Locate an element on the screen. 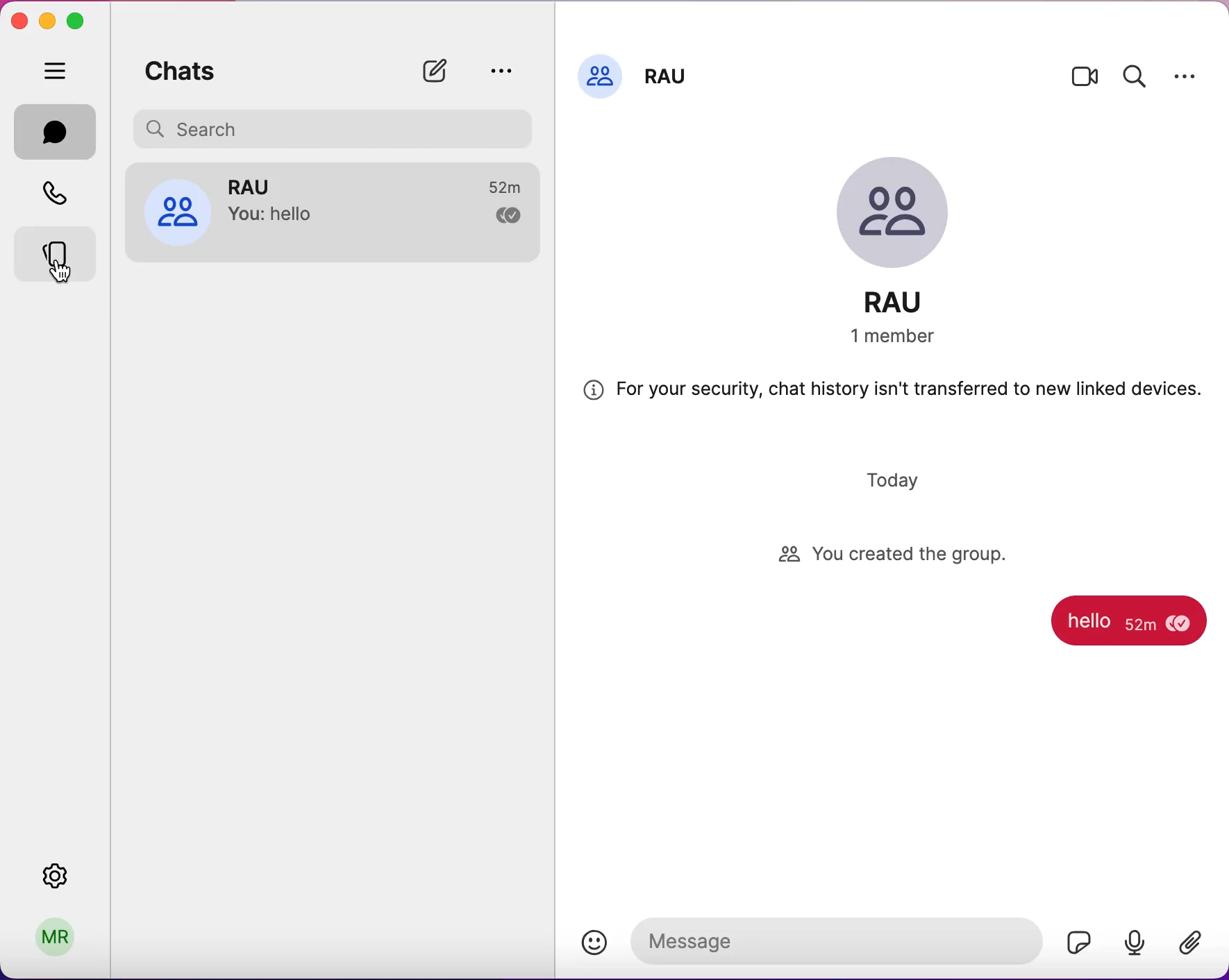 The image size is (1229, 980). you created the group is located at coordinates (896, 555).